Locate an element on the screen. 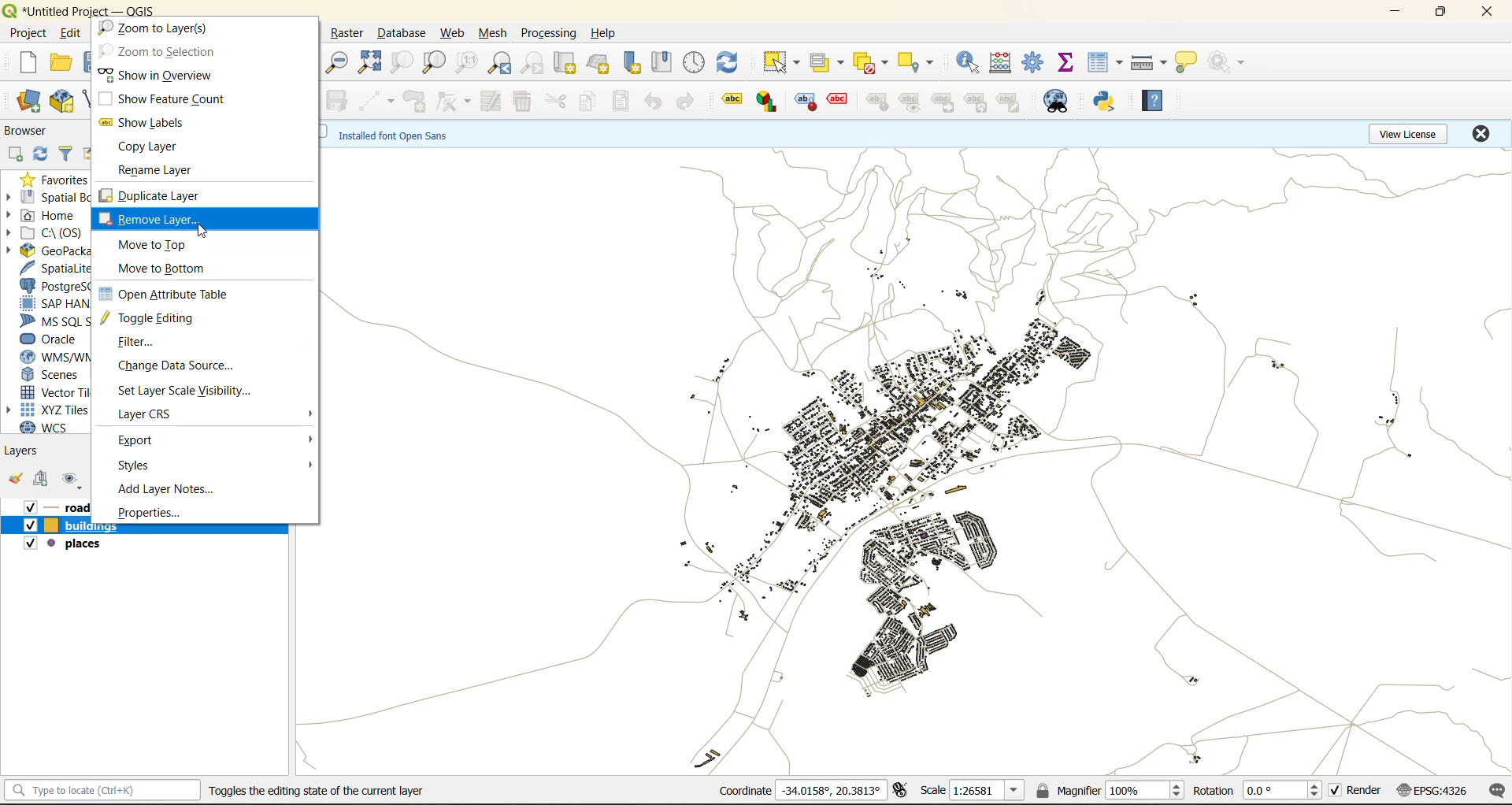  scale is located at coordinates (973, 792).